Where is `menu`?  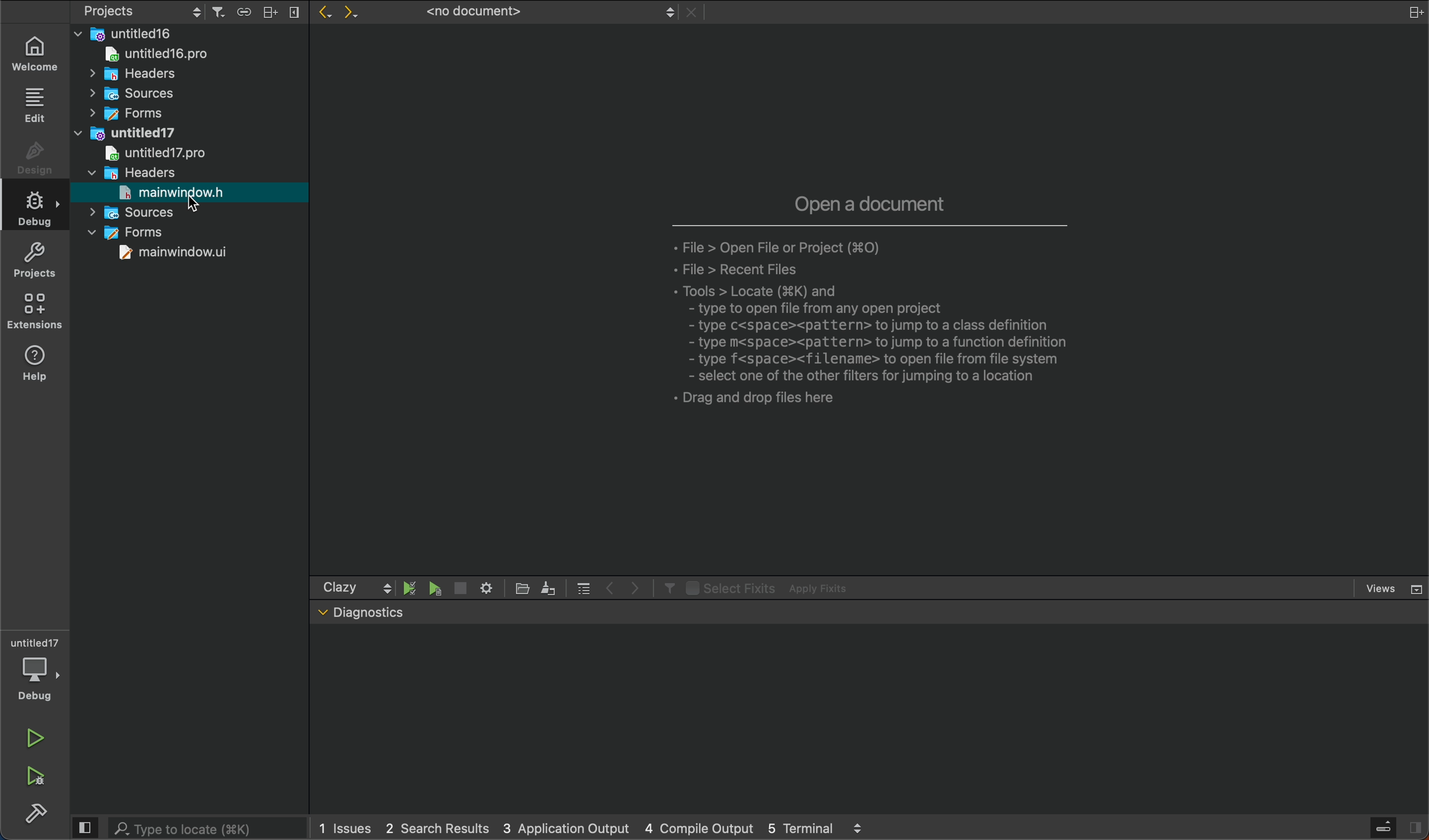
menu is located at coordinates (584, 587).